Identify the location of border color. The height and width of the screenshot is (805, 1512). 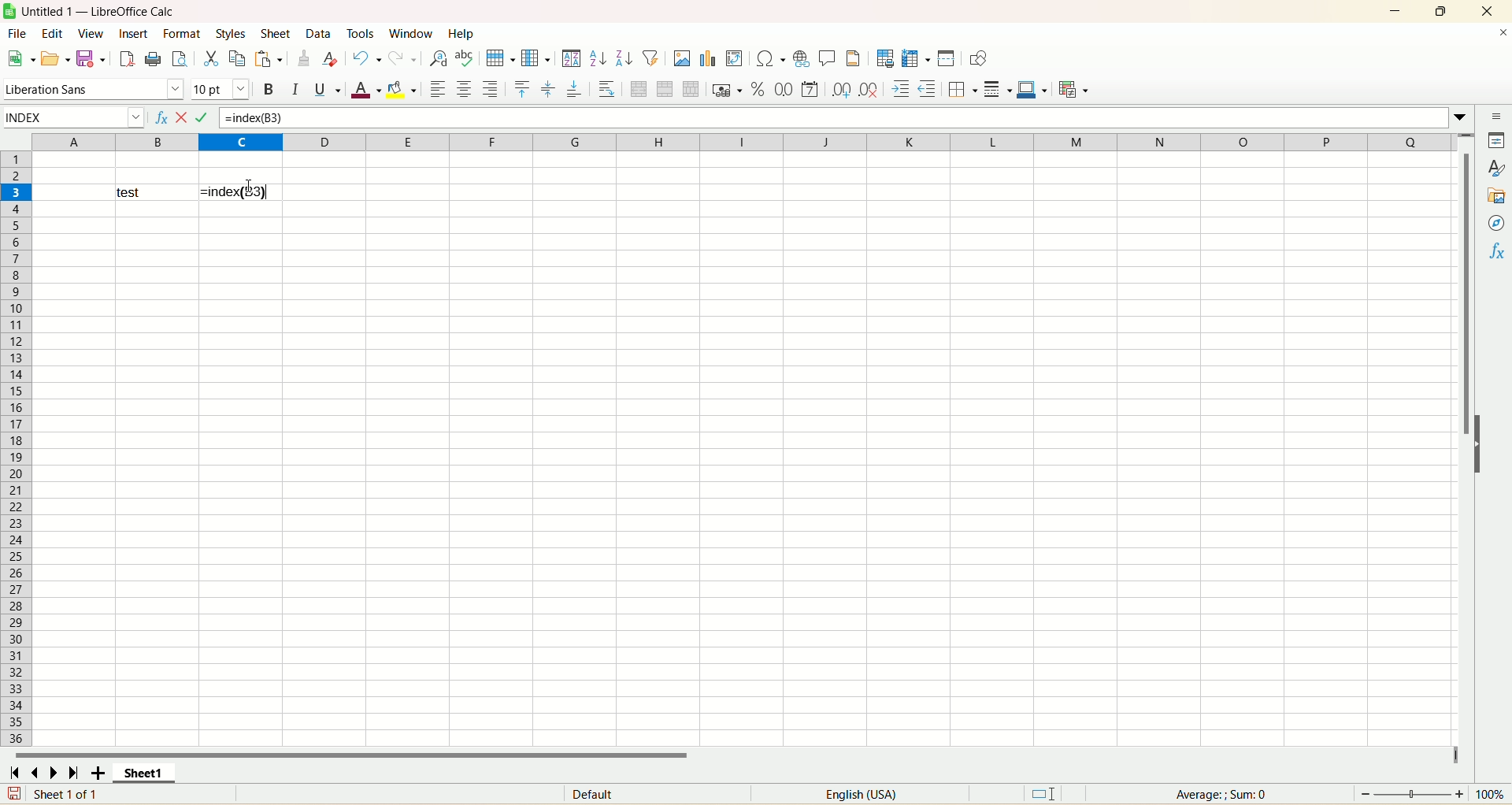
(1032, 89).